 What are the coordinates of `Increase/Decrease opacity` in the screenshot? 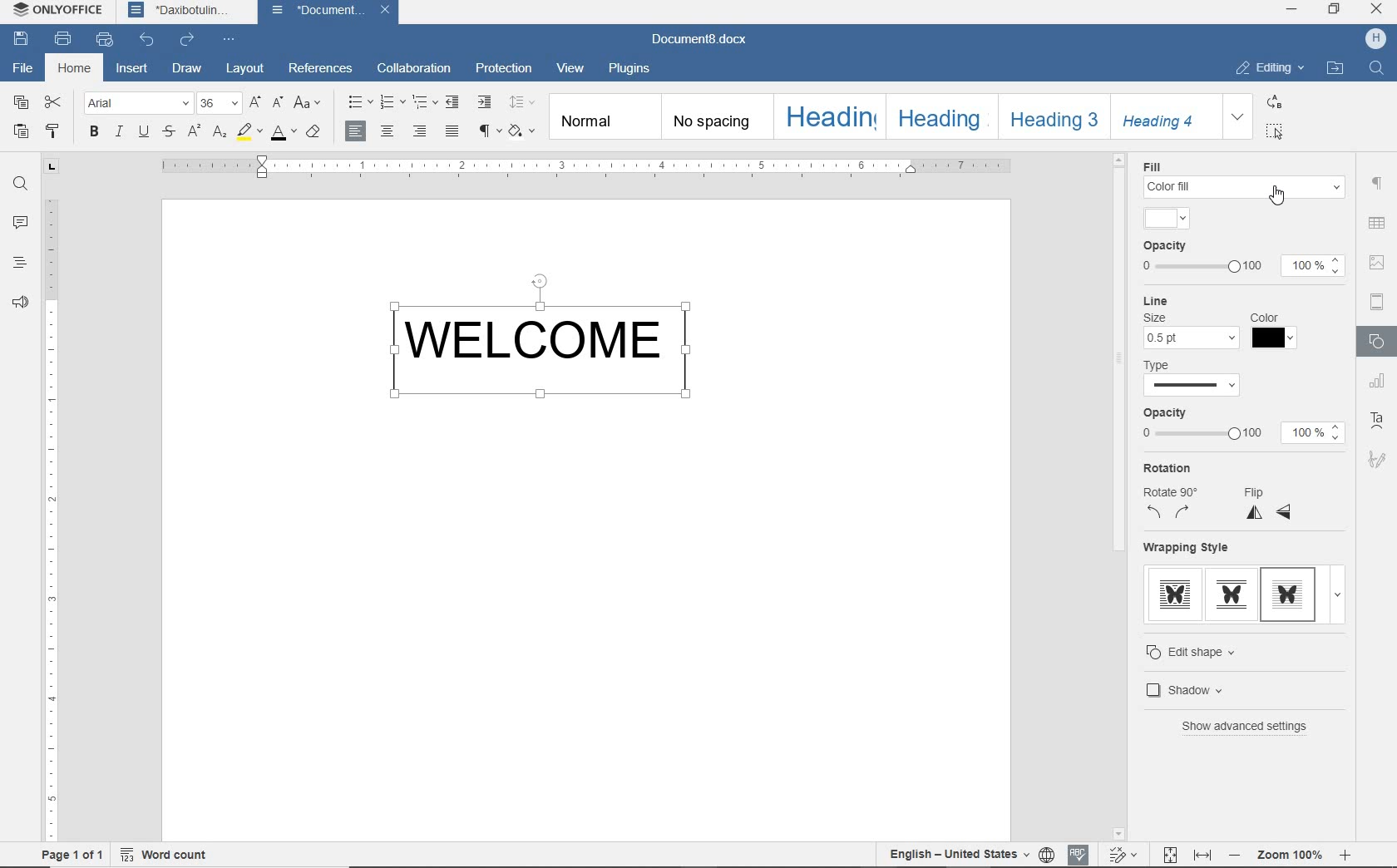 It's located at (1338, 266).